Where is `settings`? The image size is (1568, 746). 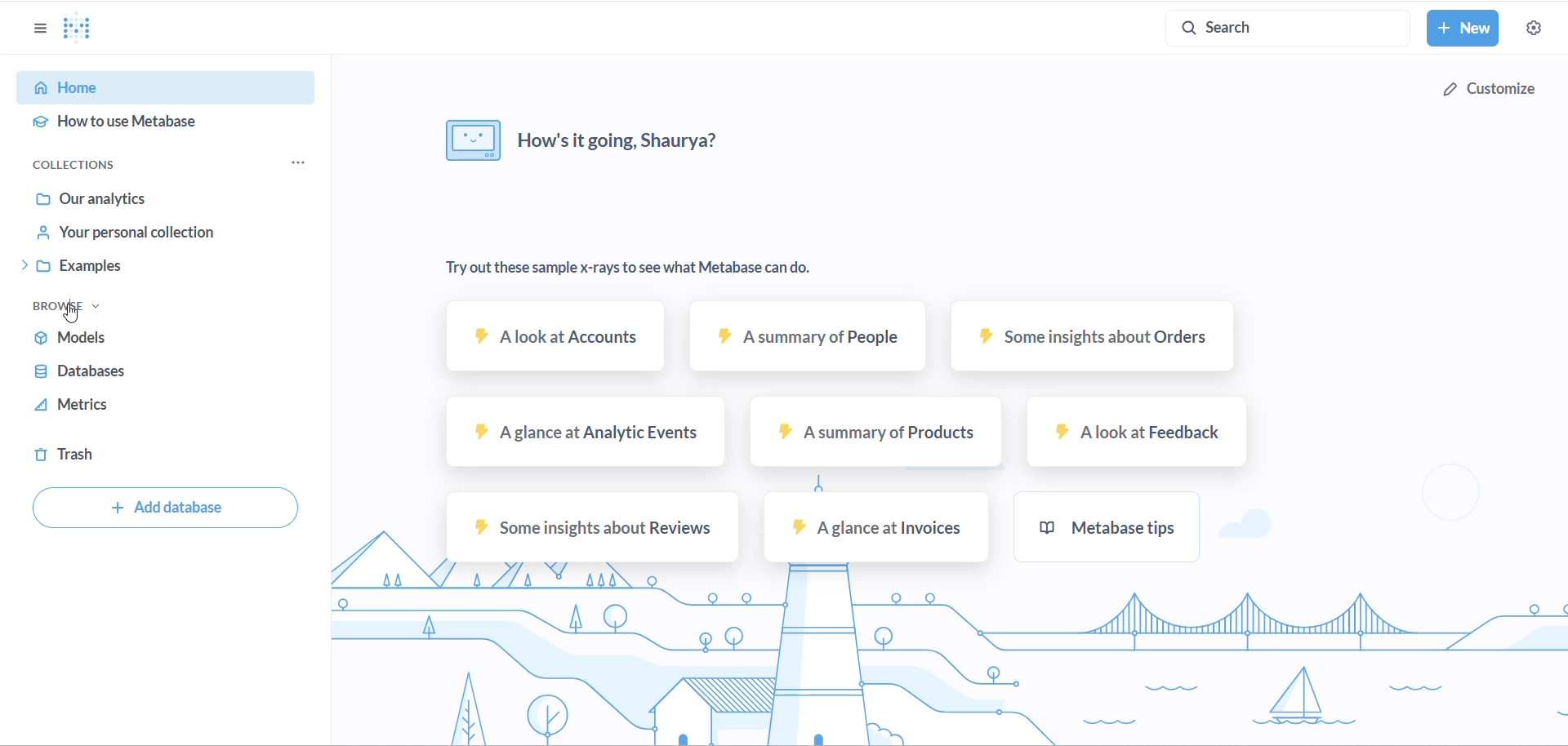
settings is located at coordinates (1530, 29).